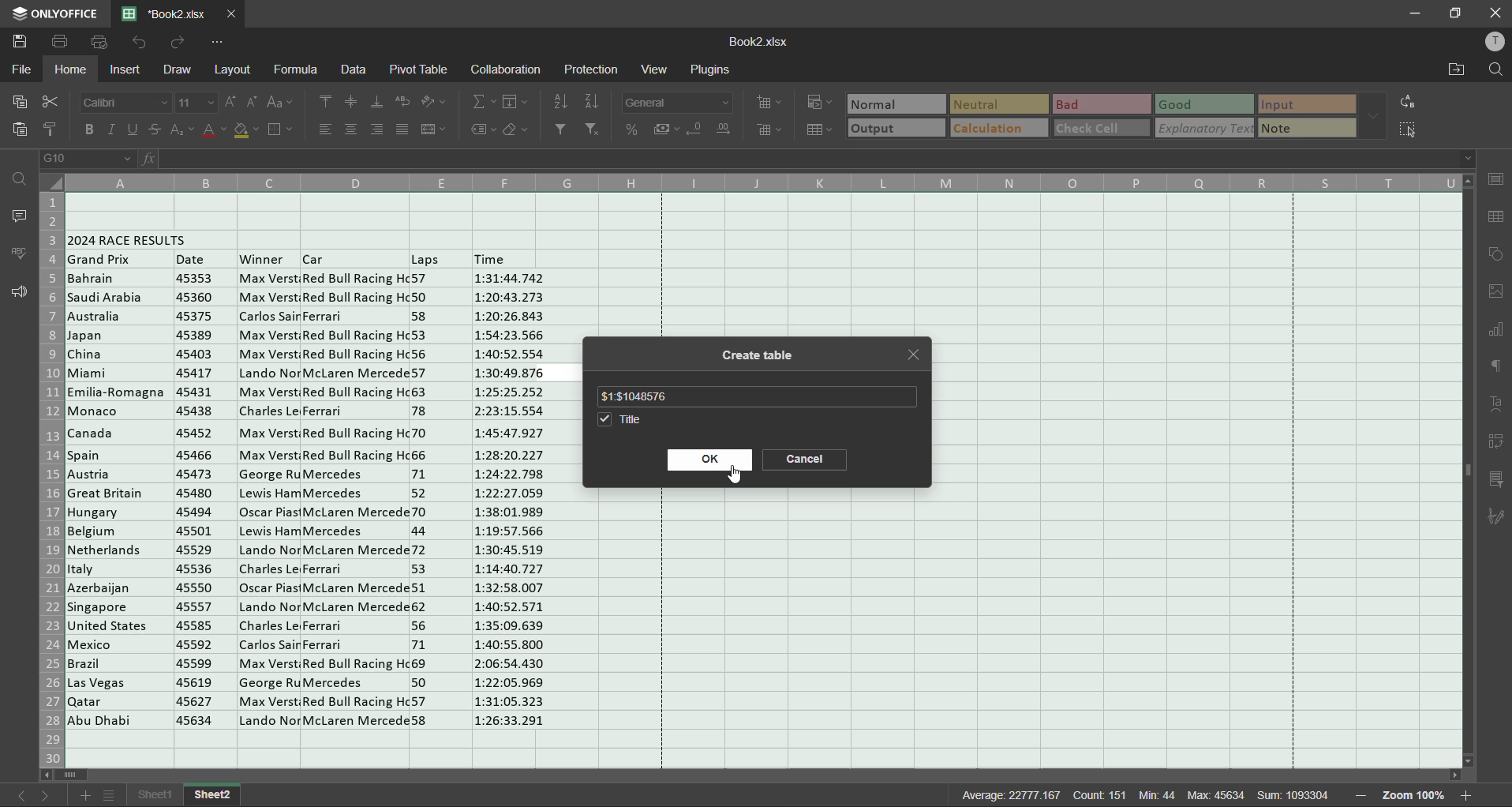 This screenshot has height=807, width=1512. What do you see at coordinates (15, 794) in the screenshot?
I see `previous` at bounding box center [15, 794].